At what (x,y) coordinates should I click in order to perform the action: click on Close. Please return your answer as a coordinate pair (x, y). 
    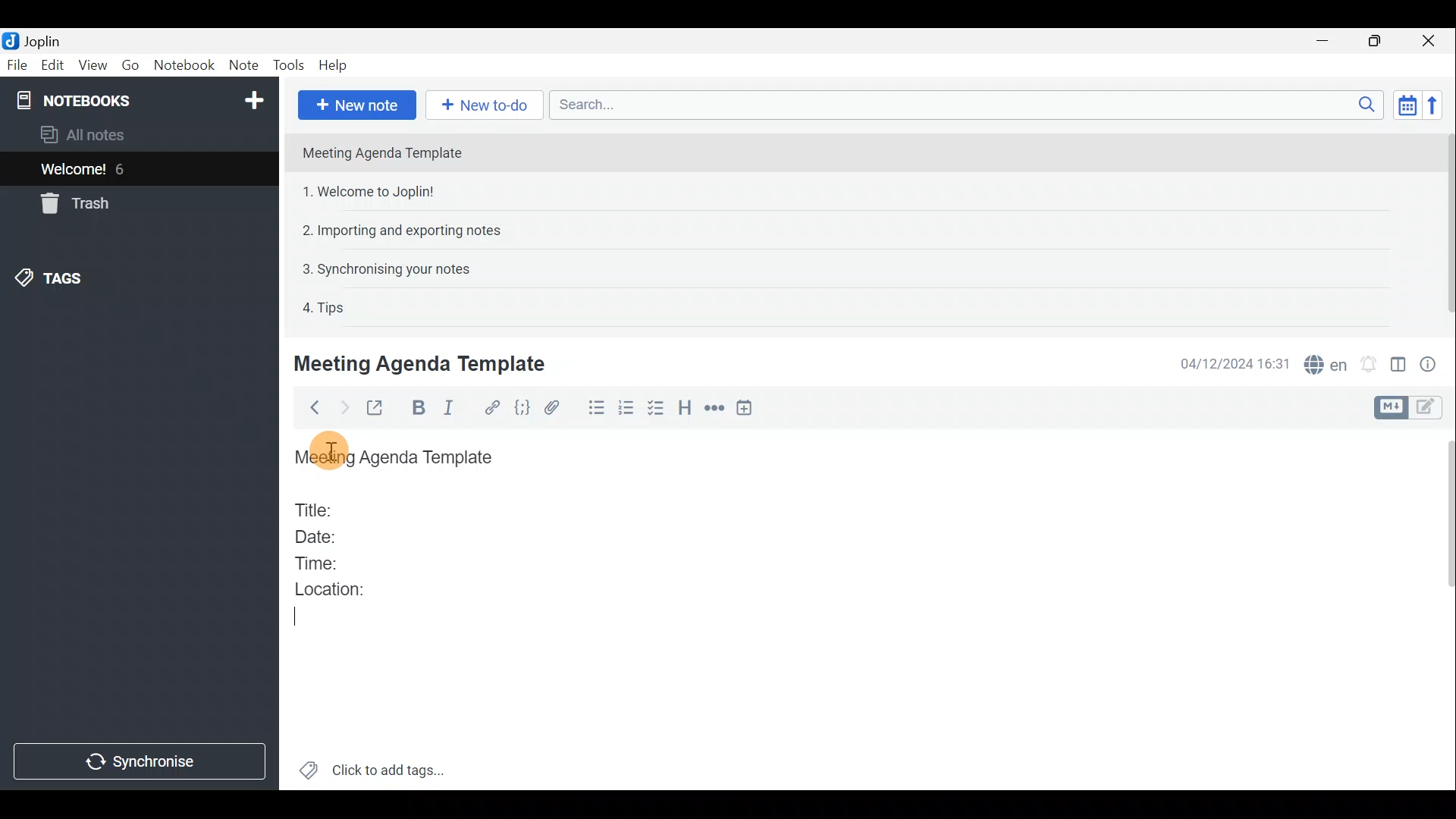
    Looking at the image, I should click on (1429, 42).